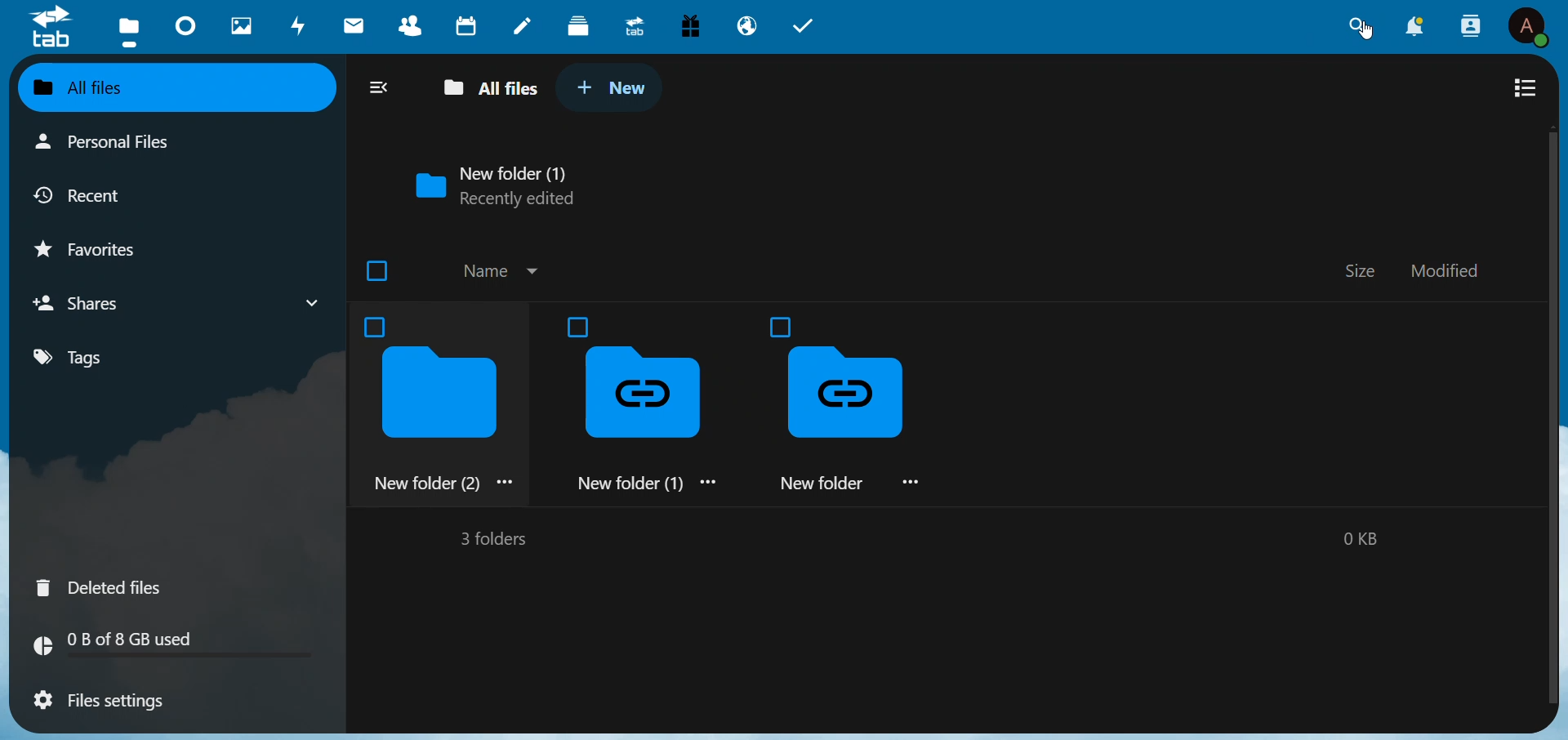 Image resolution: width=1568 pixels, height=740 pixels. Describe the element at coordinates (240, 26) in the screenshot. I see `images` at that location.